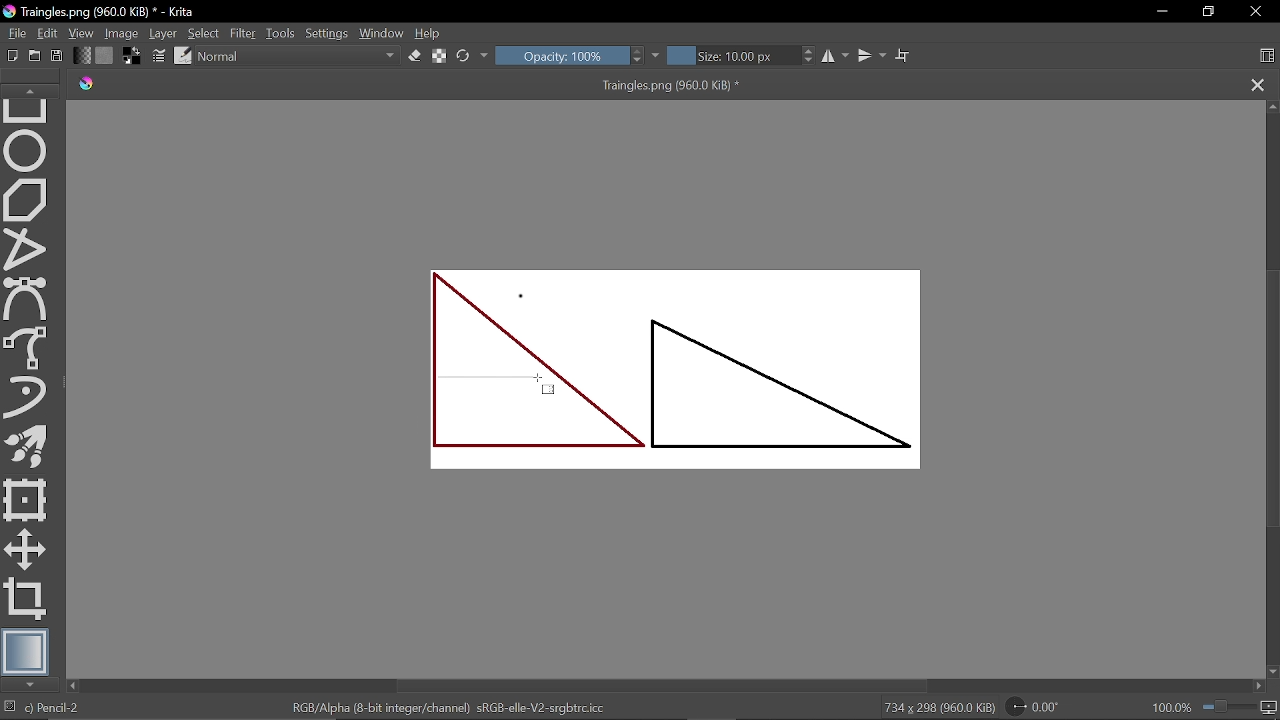 The image size is (1280, 720). I want to click on Bezier curve tool, so click(28, 300).